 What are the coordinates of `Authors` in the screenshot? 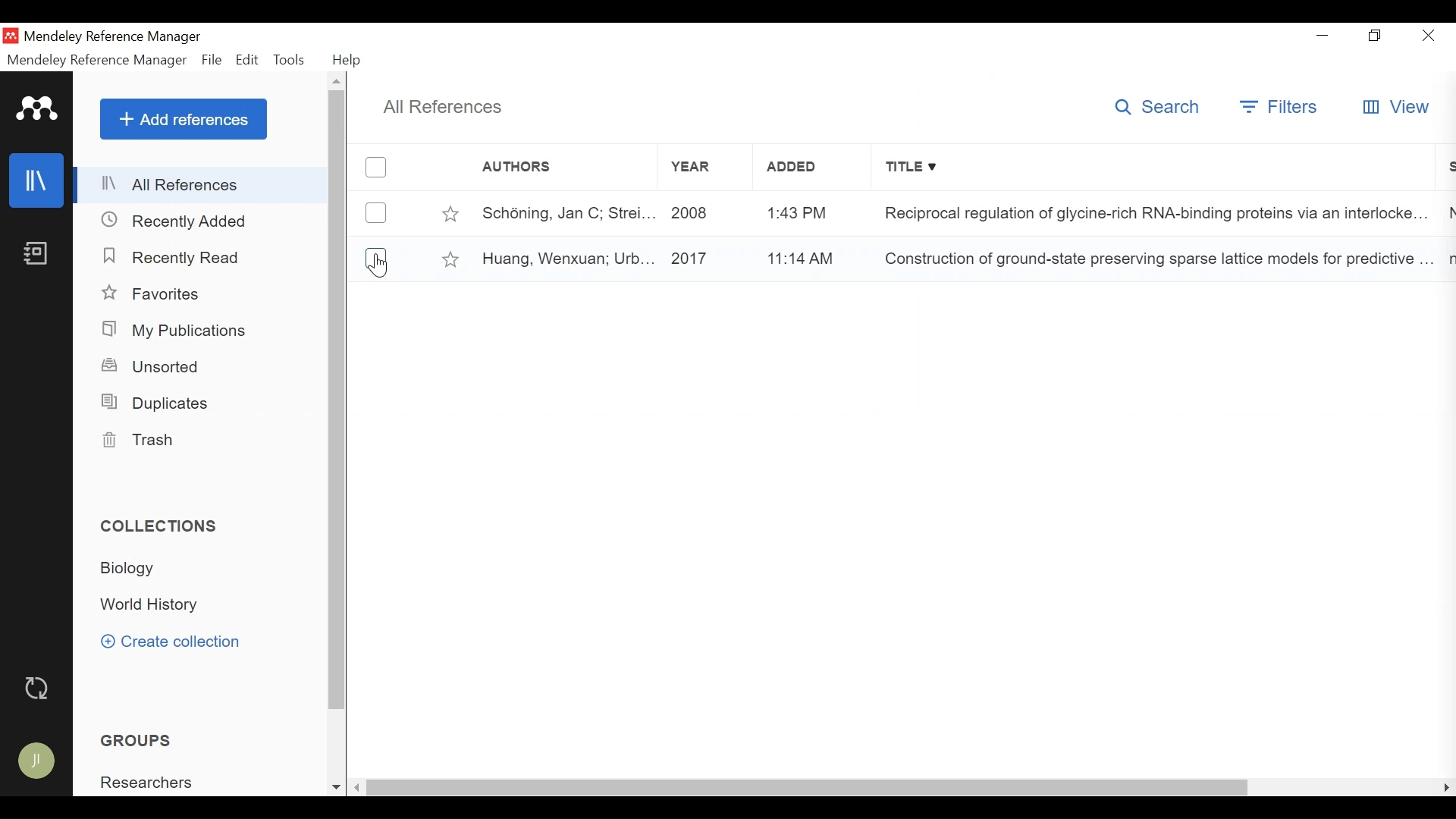 It's located at (549, 168).